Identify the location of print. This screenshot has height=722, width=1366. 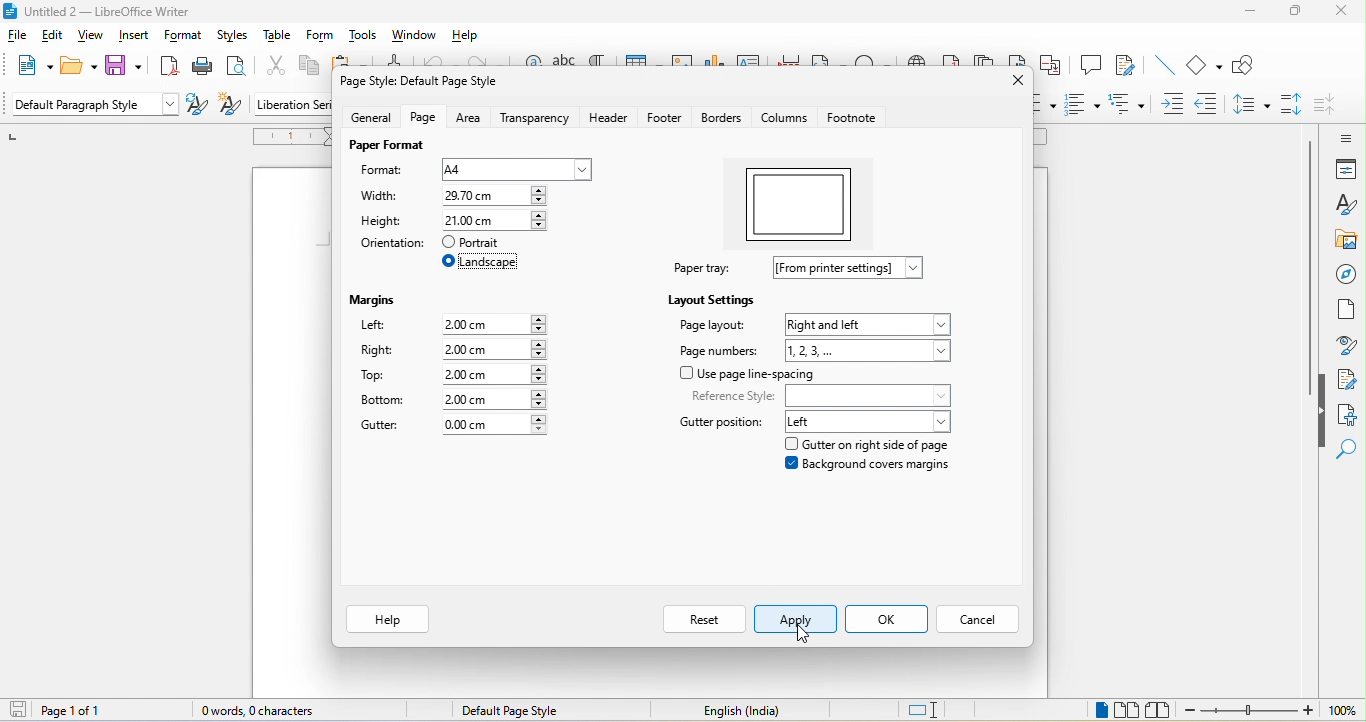
(205, 67).